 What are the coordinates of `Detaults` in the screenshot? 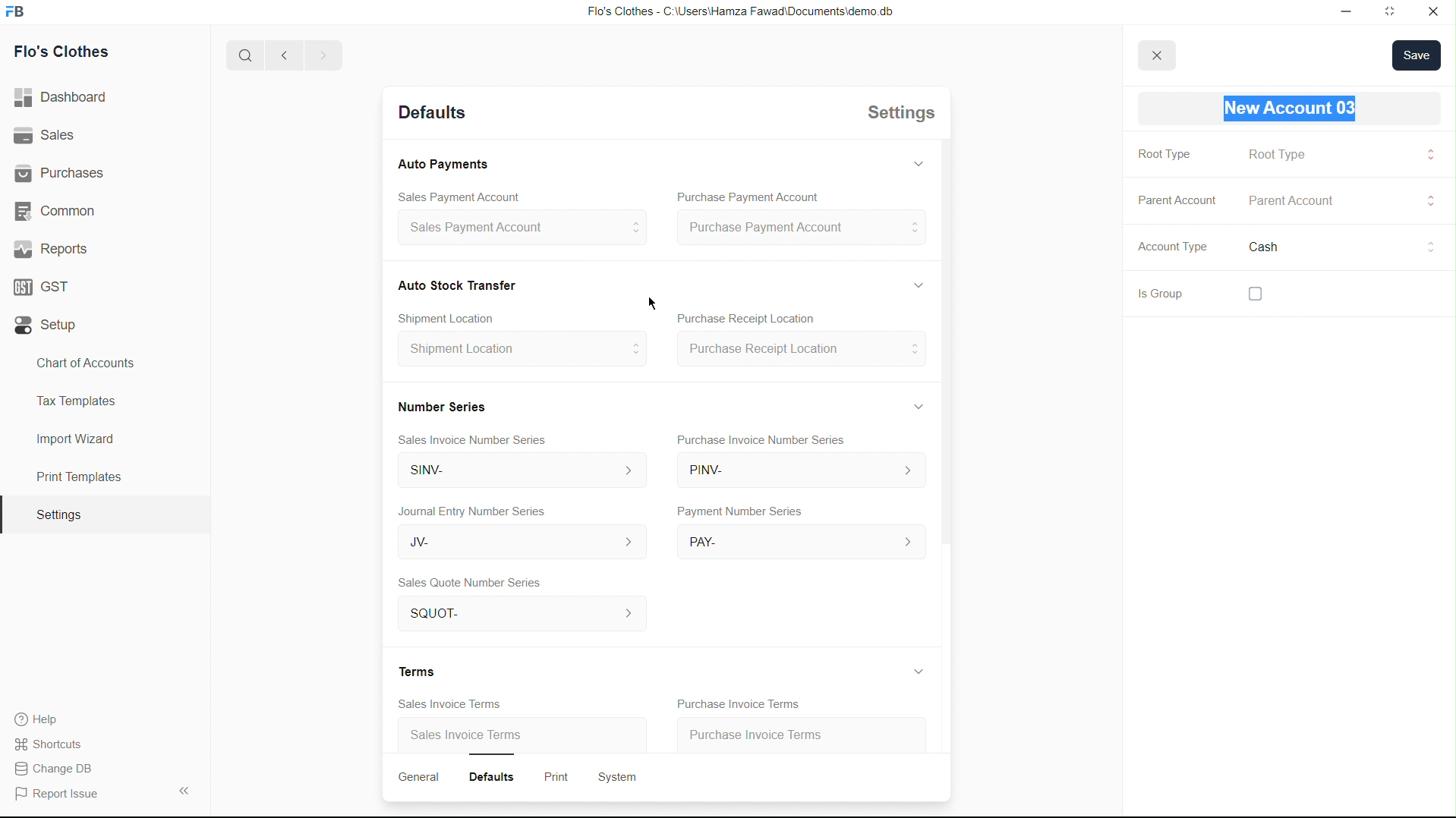 It's located at (430, 114).